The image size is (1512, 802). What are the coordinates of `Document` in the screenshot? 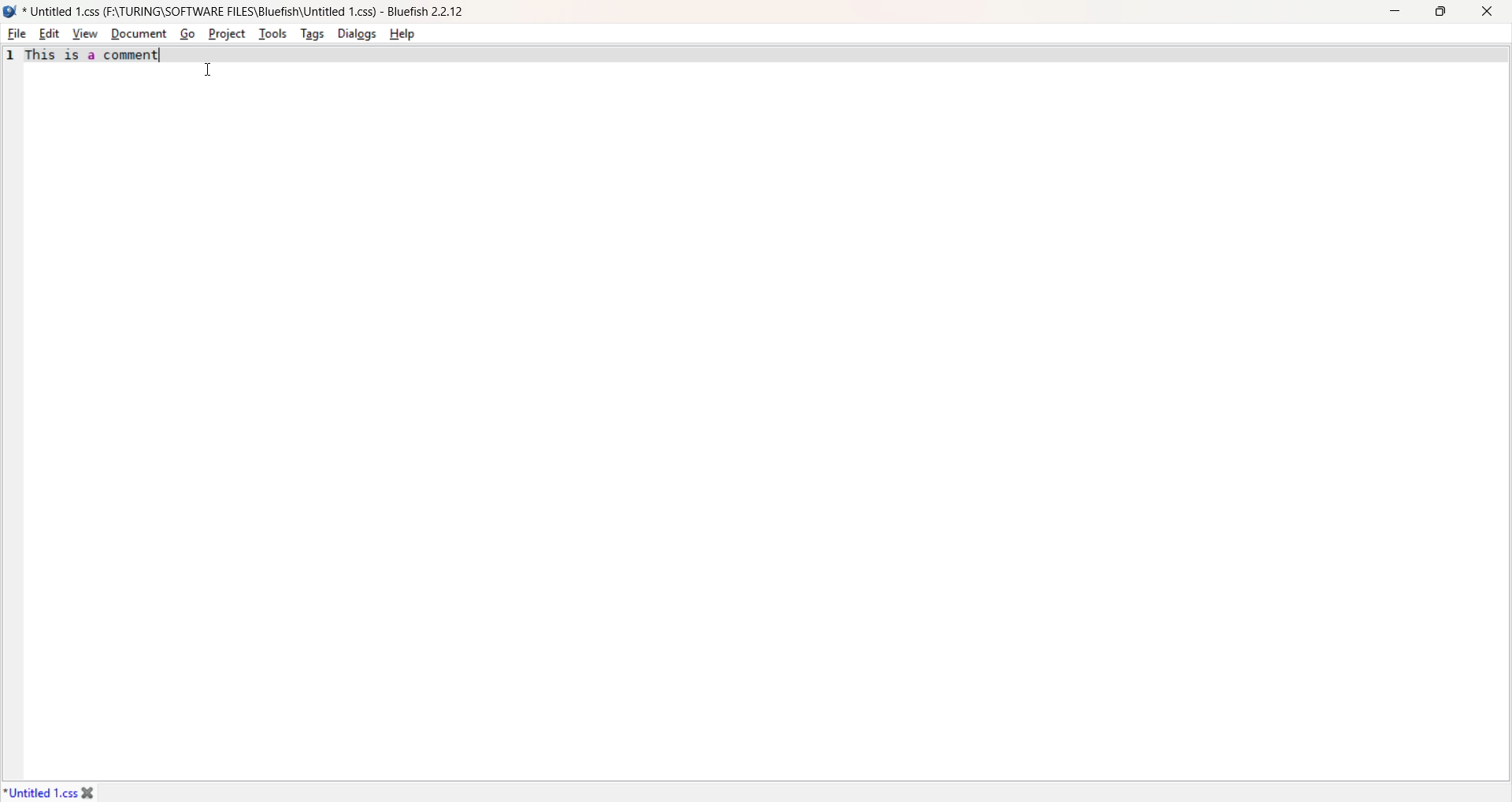 It's located at (137, 34).